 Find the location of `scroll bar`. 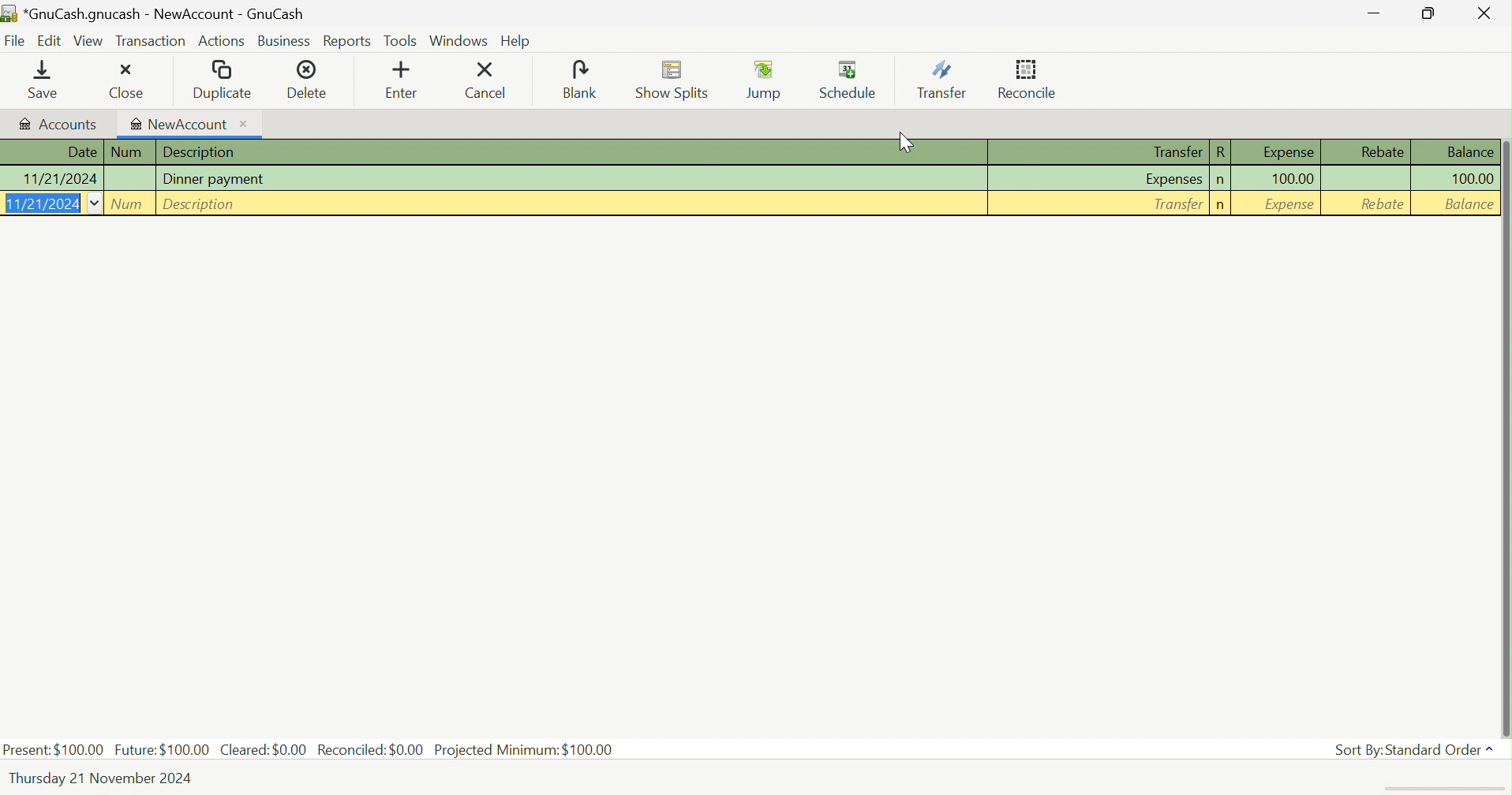

scroll bar is located at coordinates (1508, 427).